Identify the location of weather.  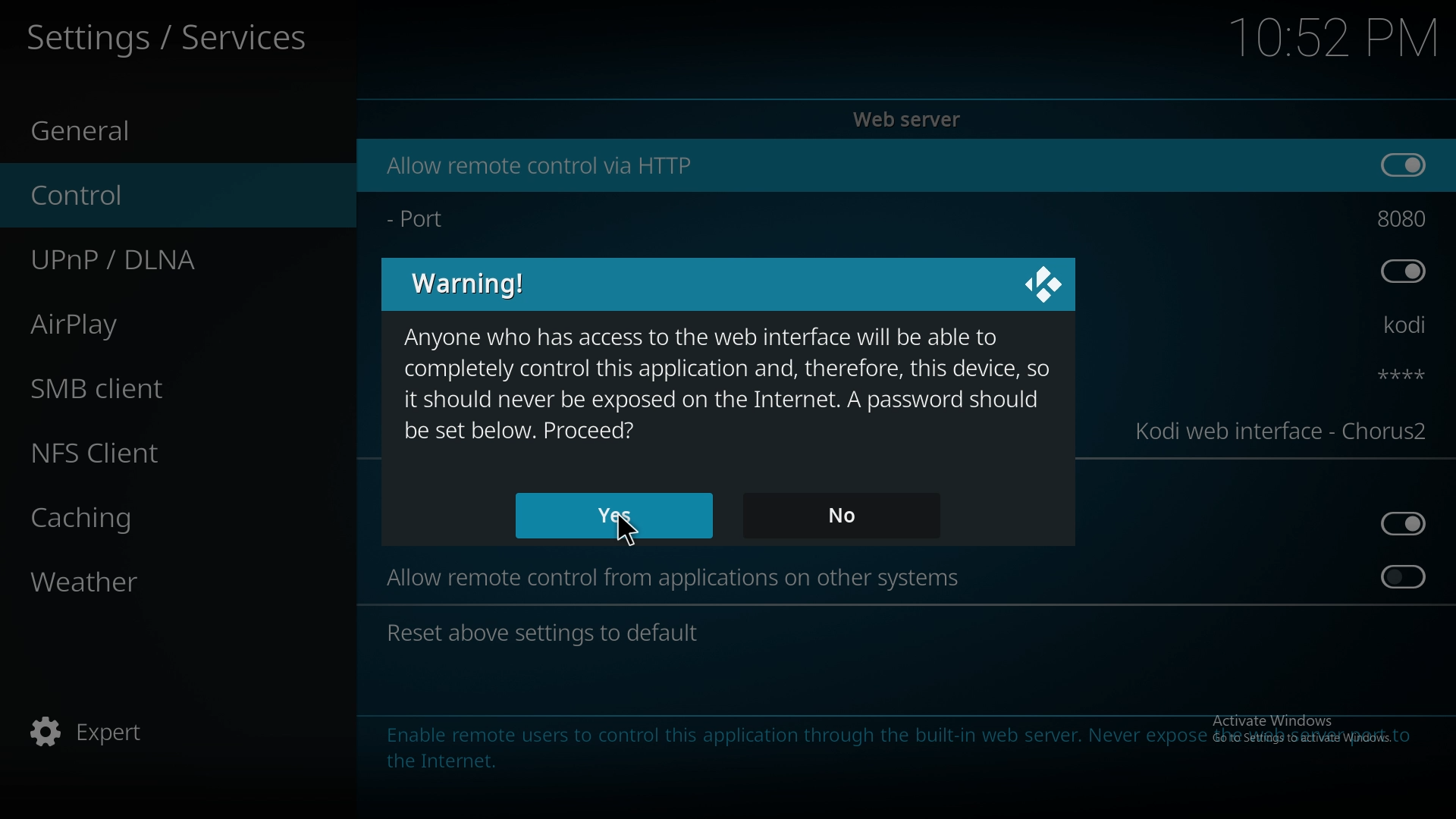
(158, 580).